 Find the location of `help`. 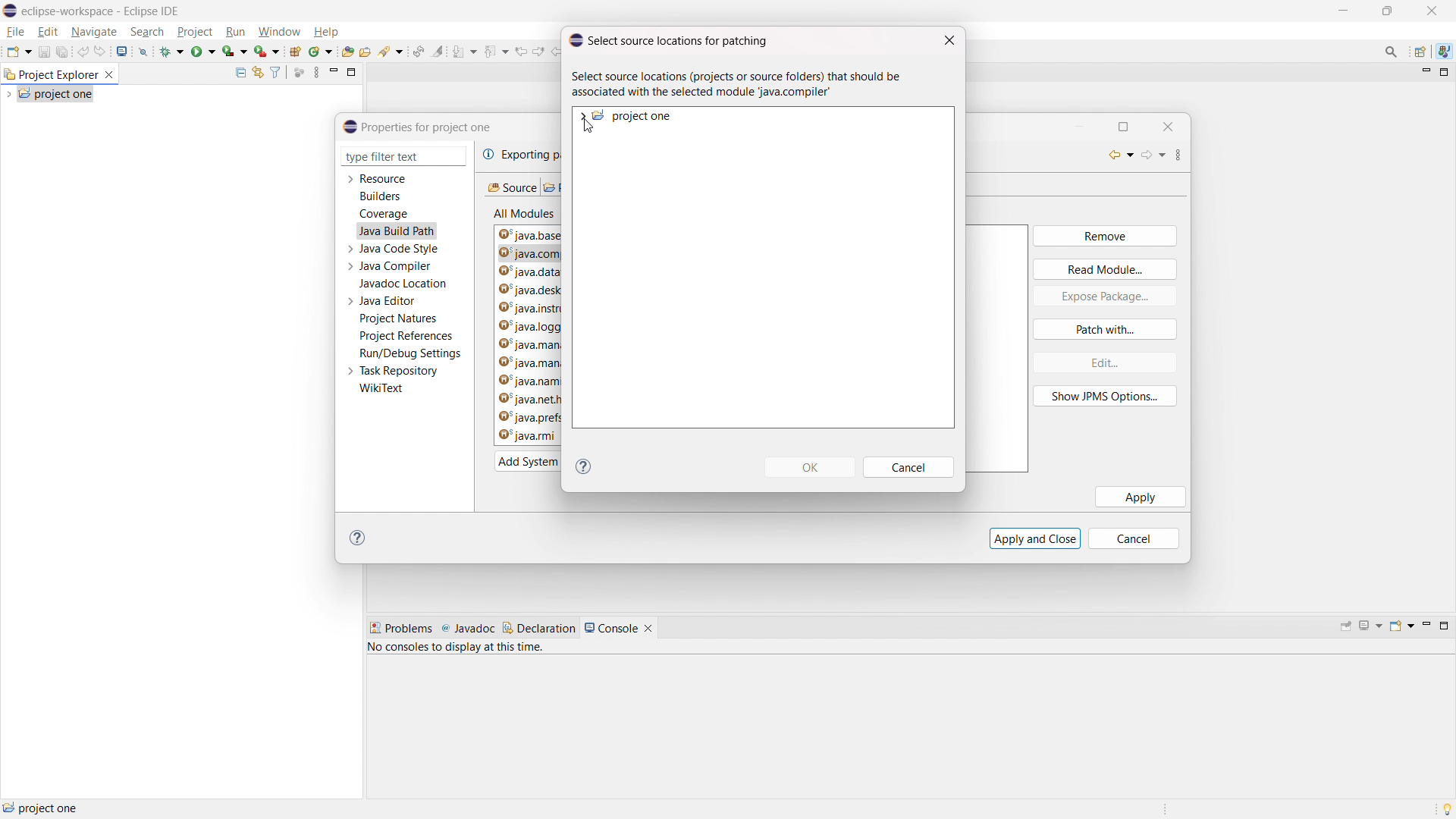

help is located at coordinates (584, 466).